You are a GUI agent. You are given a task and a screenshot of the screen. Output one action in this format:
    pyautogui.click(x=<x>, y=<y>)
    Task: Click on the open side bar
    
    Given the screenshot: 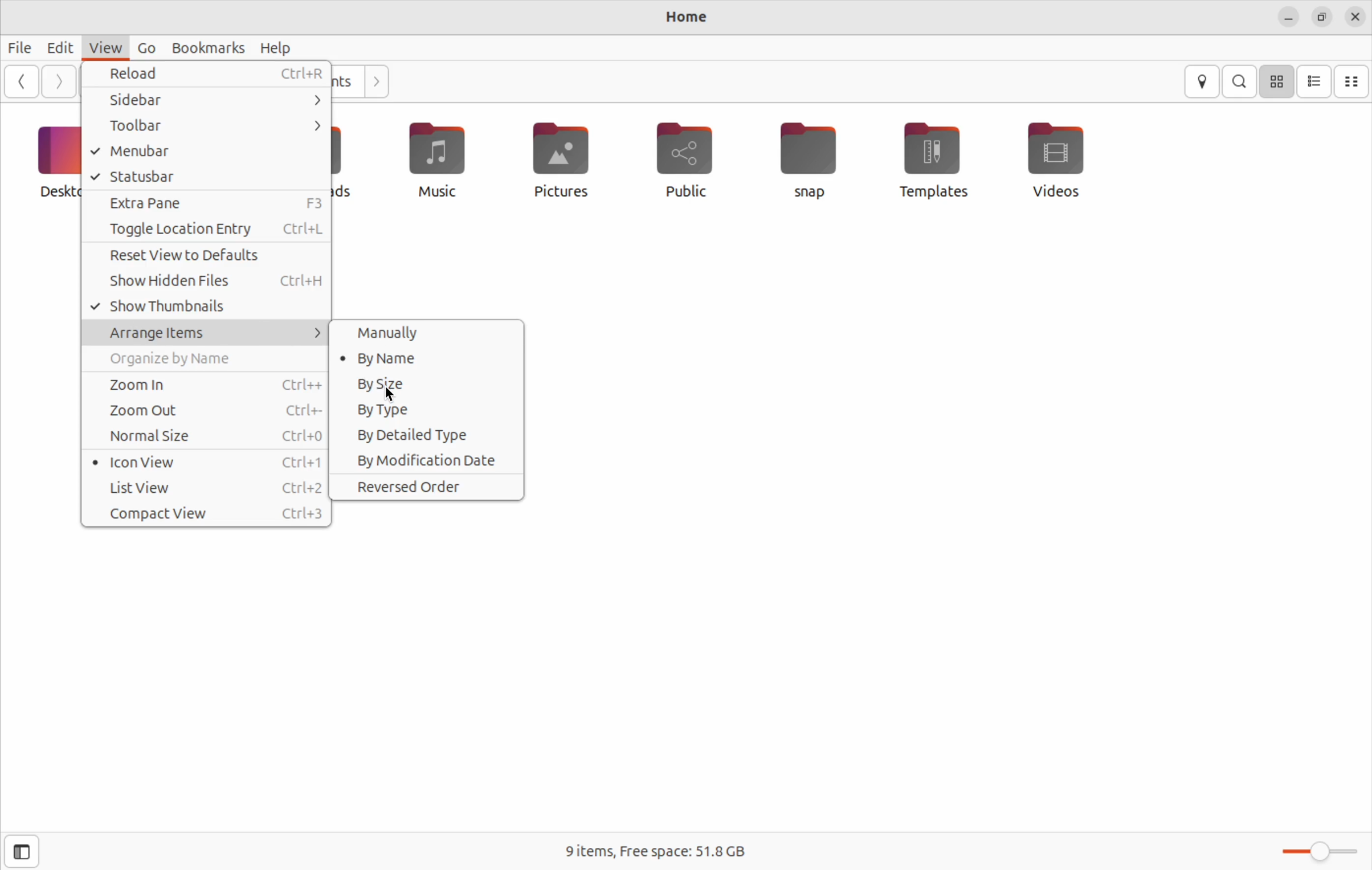 What is the action you would take?
    pyautogui.click(x=25, y=850)
    